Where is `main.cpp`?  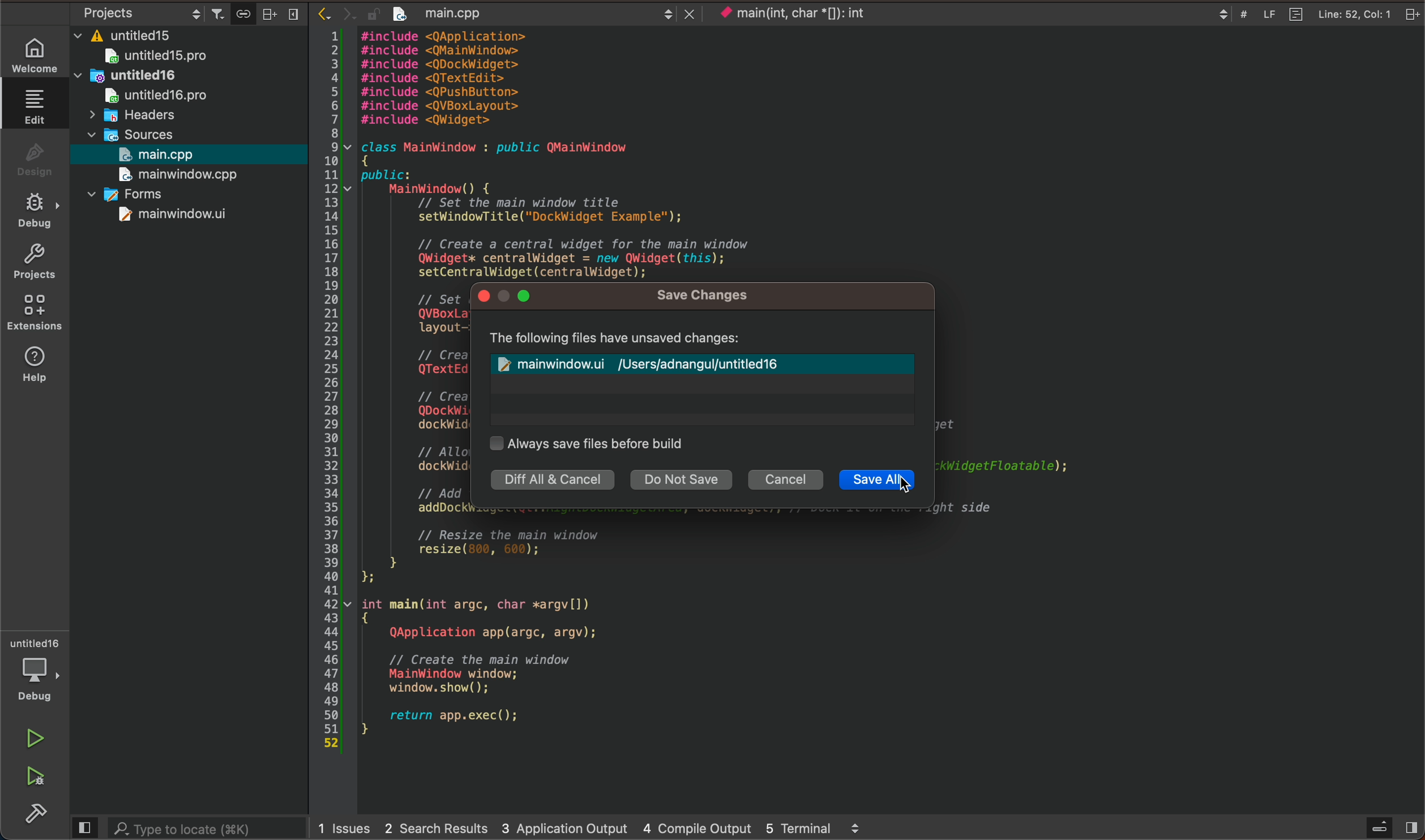 main.cpp is located at coordinates (164, 153).